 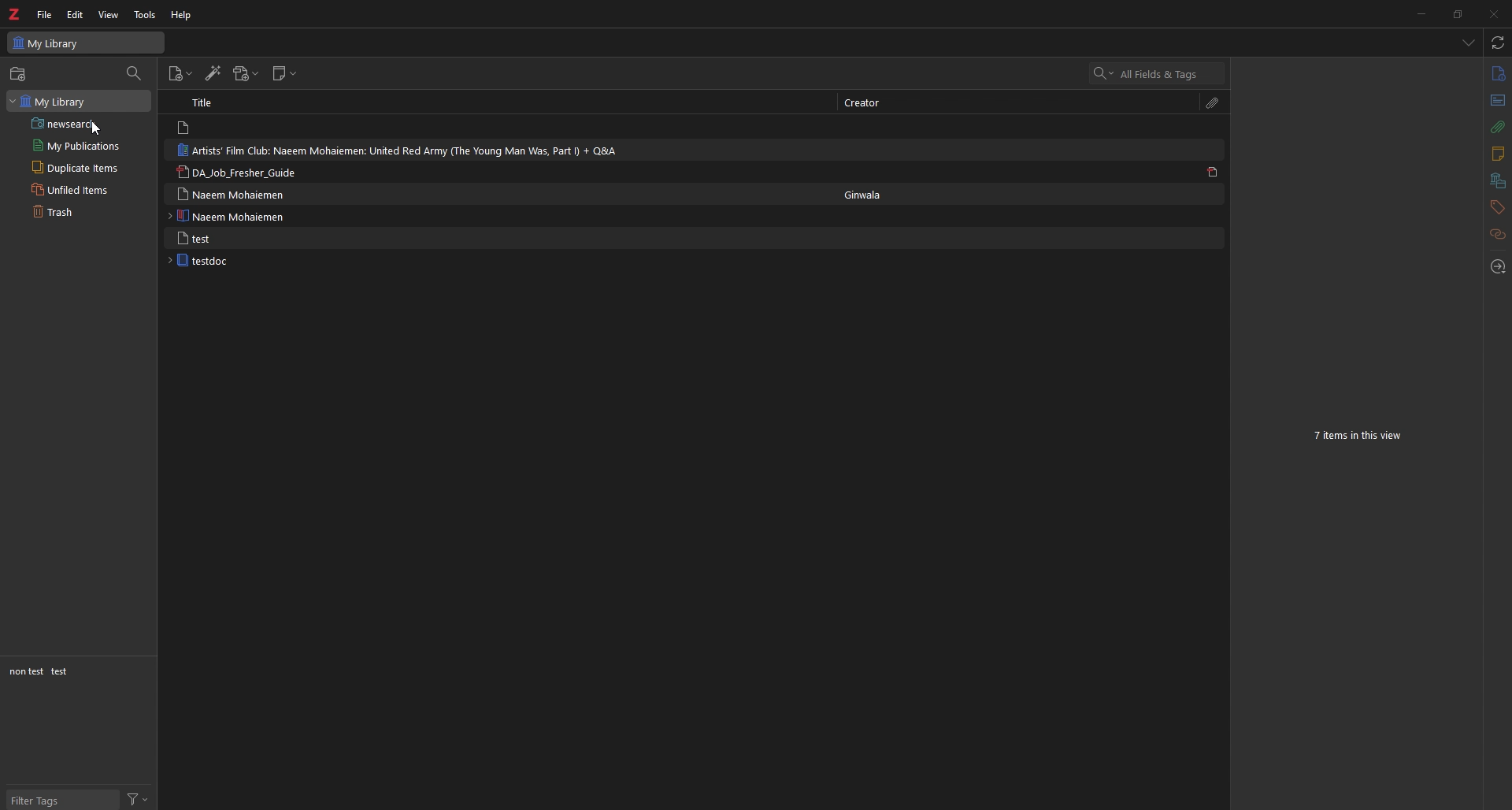 I want to click on filter collection, so click(x=134, y=73).